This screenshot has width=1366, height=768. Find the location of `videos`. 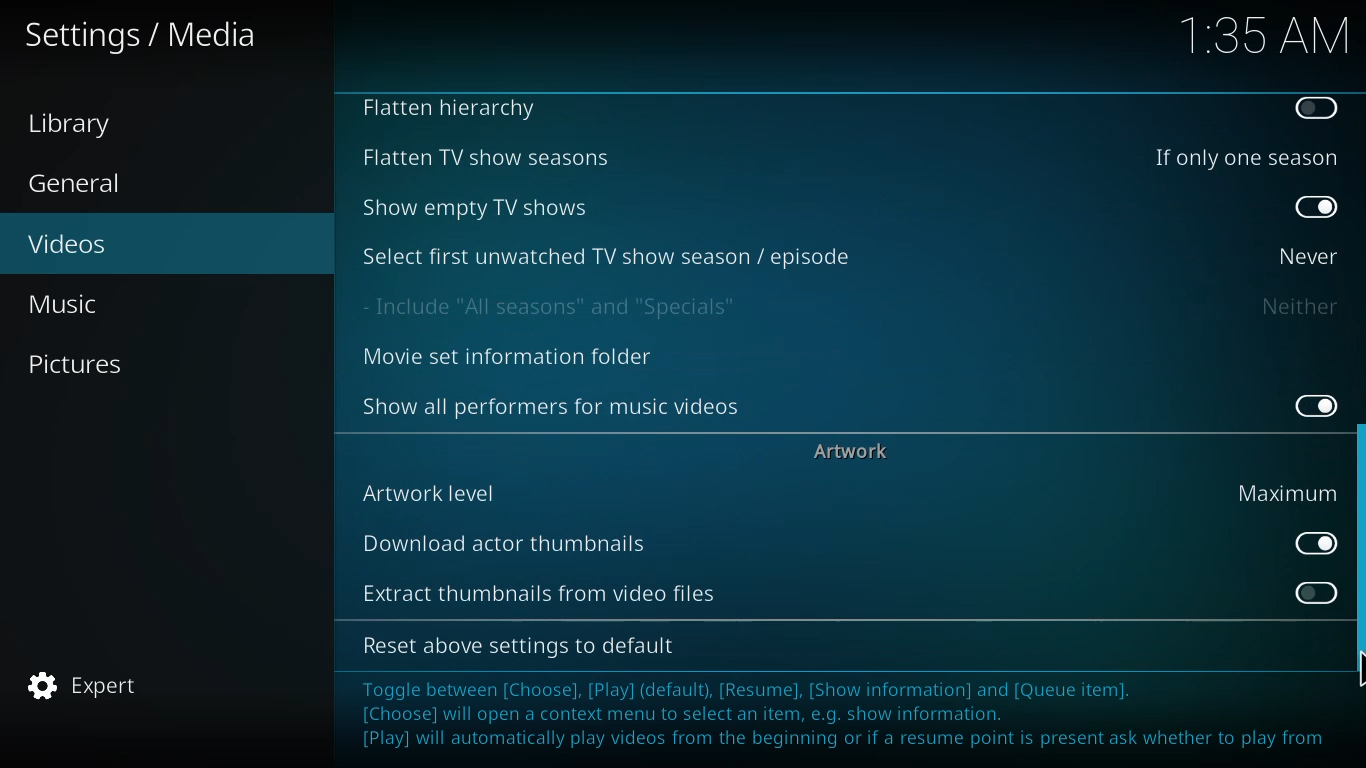

videos is located at coordinates (69, 242).